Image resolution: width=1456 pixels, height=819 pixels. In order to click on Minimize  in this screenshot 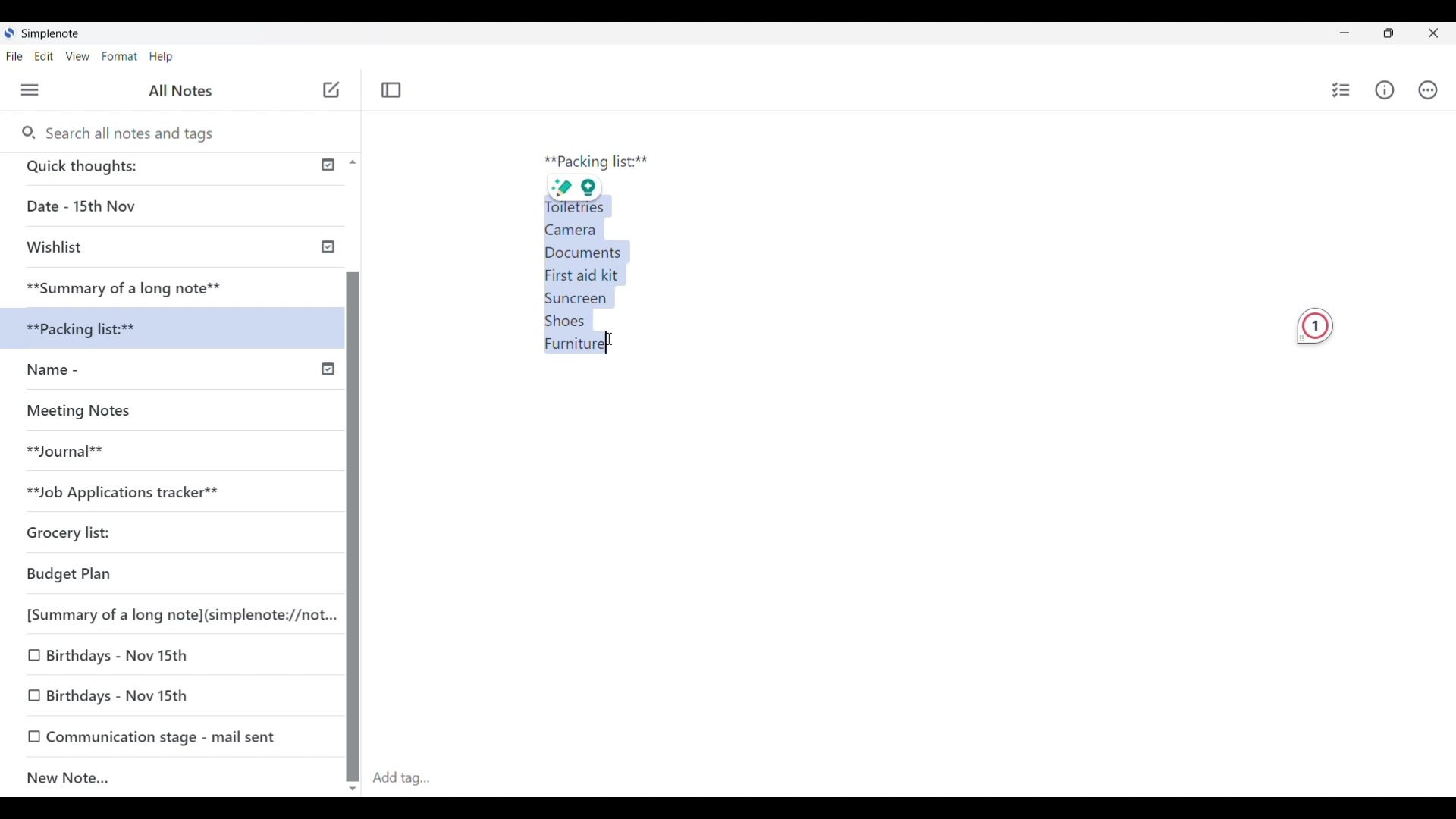, I will do `click(1345, 33)`.